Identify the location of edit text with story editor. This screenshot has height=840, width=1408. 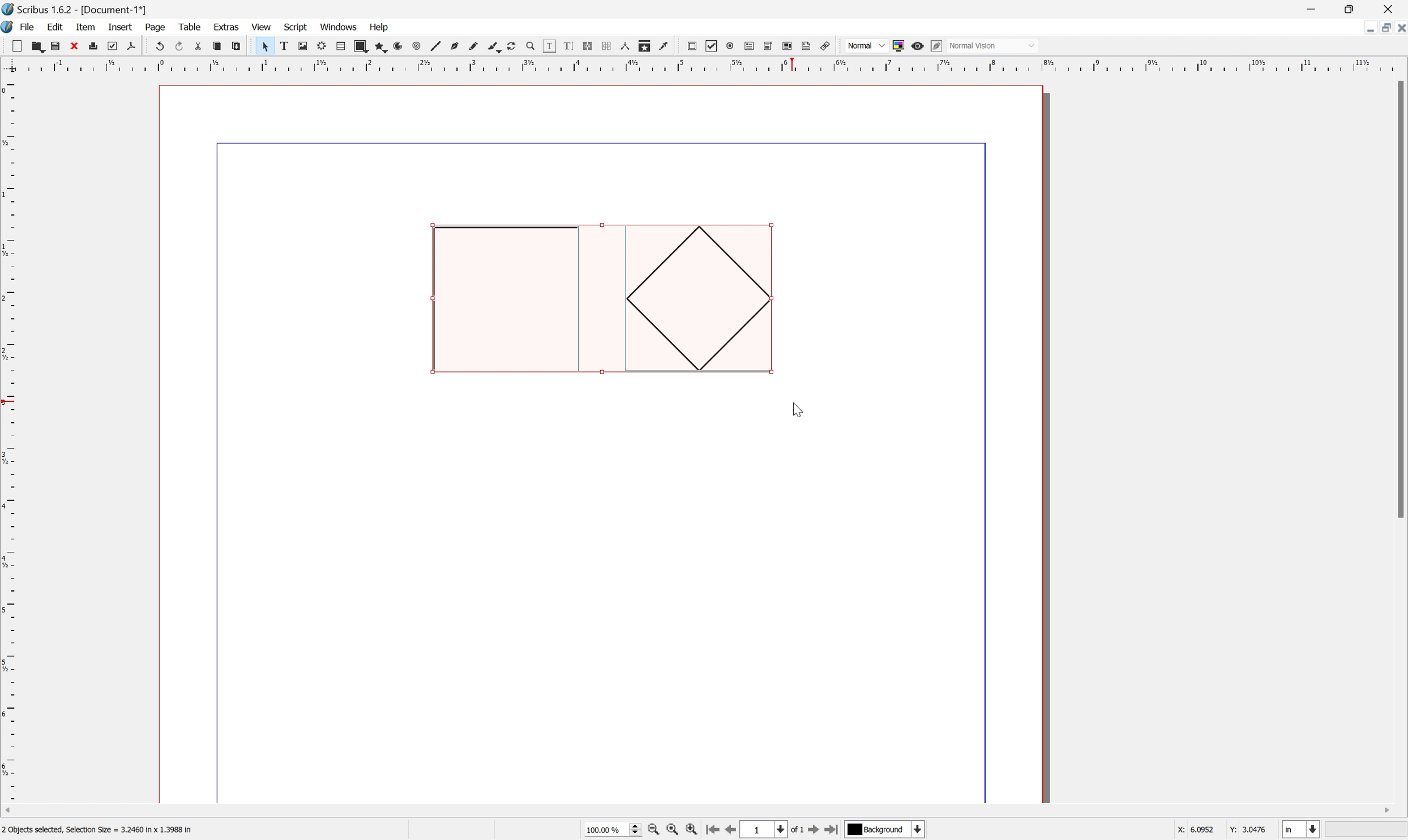
(568, 47).